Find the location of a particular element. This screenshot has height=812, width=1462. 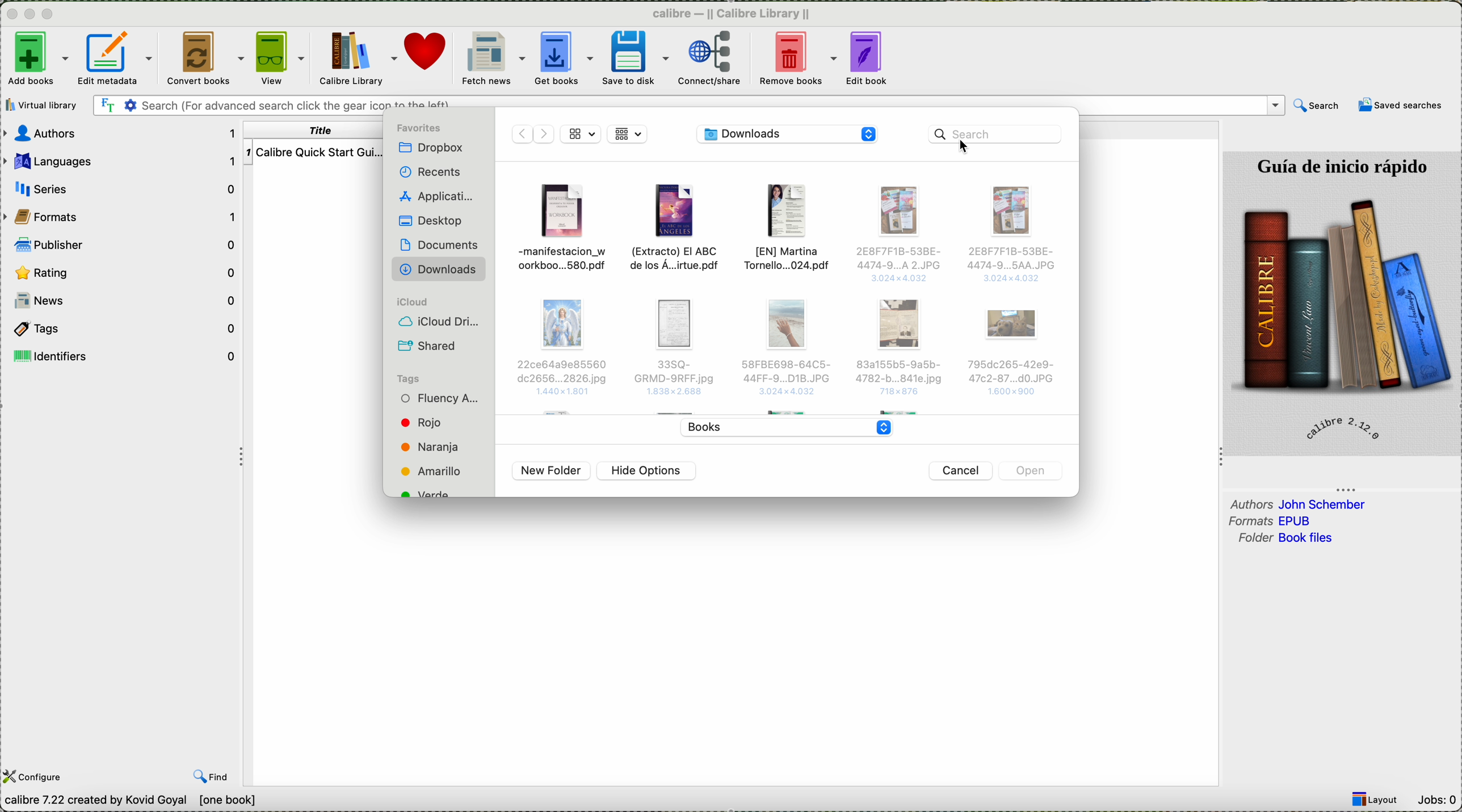

click on search bar is located at coordinates (998, 134).